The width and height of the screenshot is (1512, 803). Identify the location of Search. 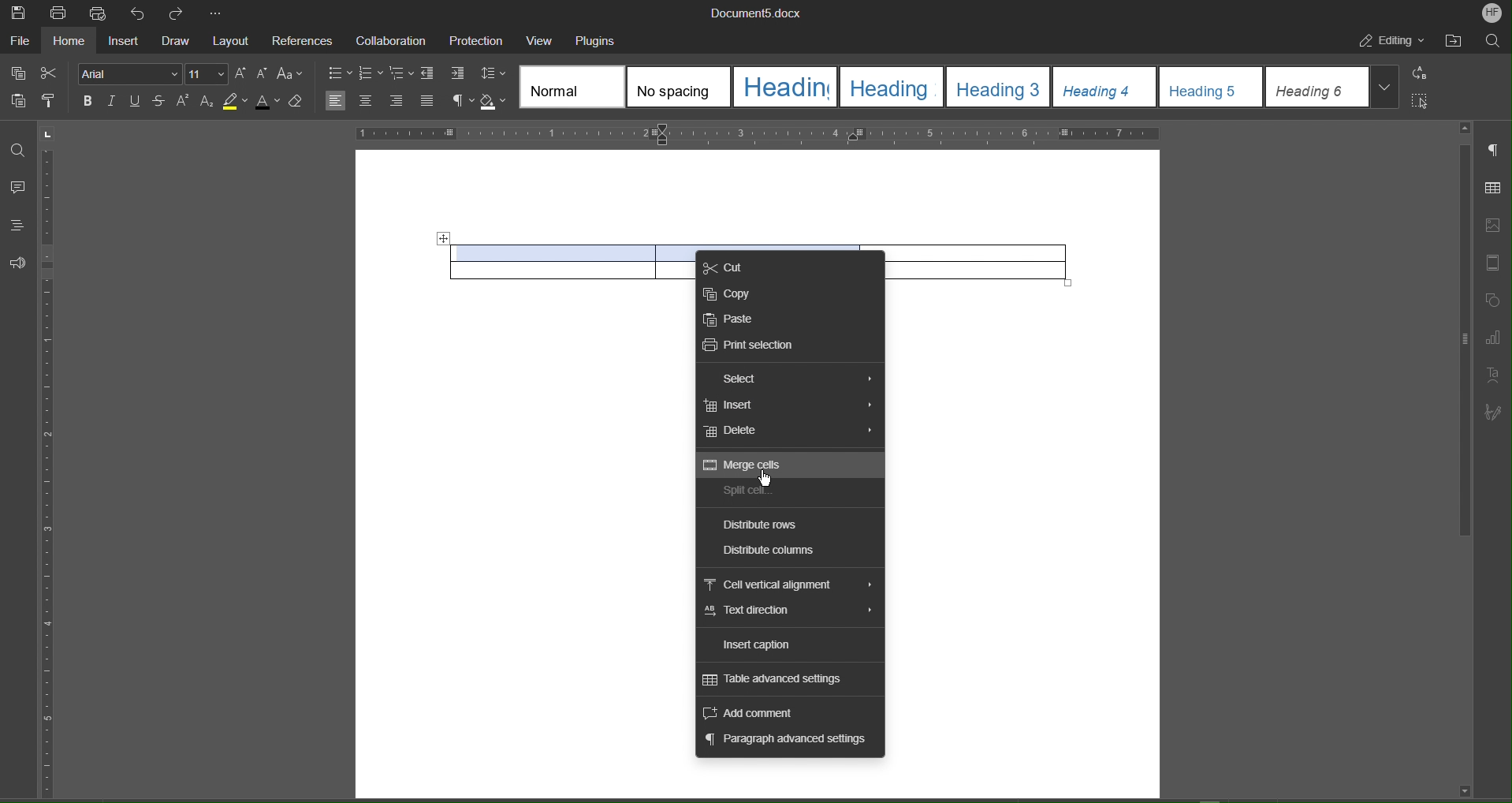
(1494, 43).